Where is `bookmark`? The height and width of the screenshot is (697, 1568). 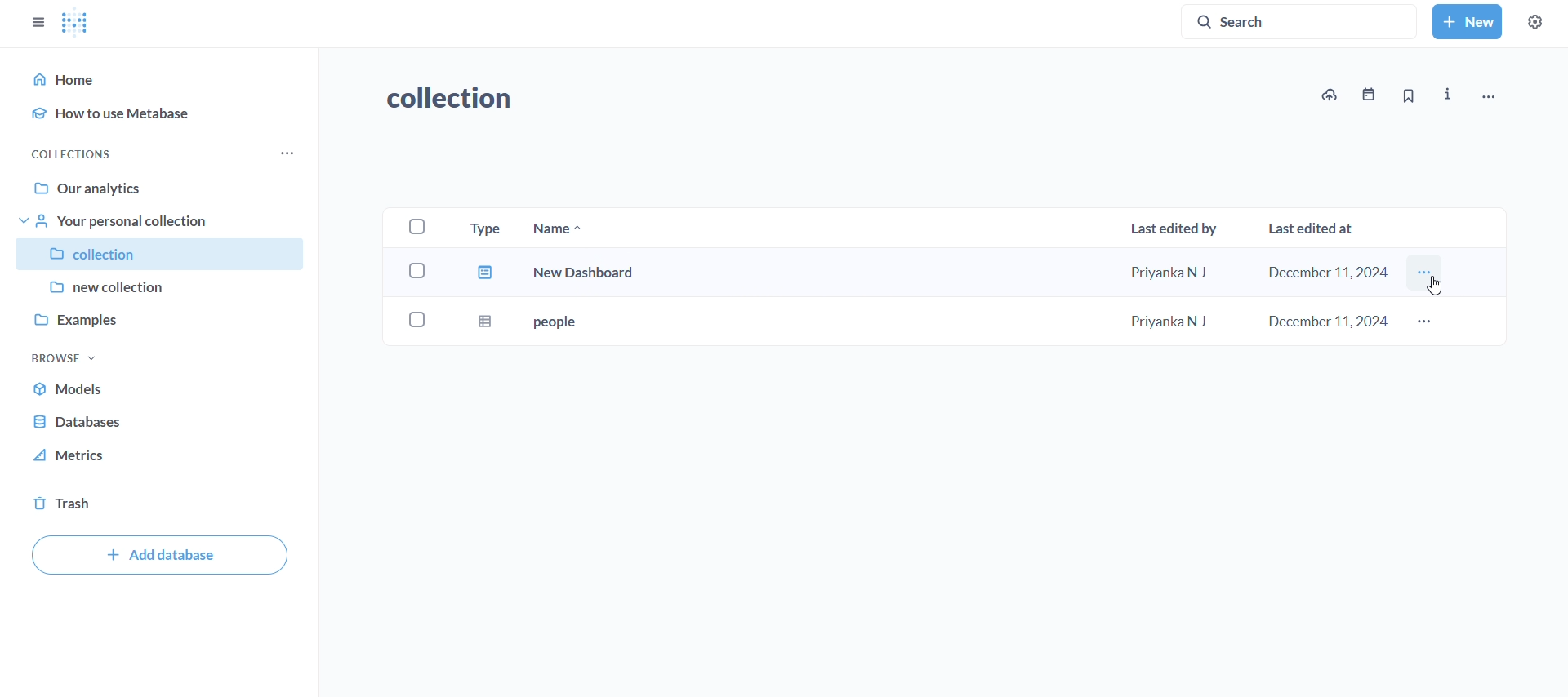 bookmark is located at coordinates (1408, 96).